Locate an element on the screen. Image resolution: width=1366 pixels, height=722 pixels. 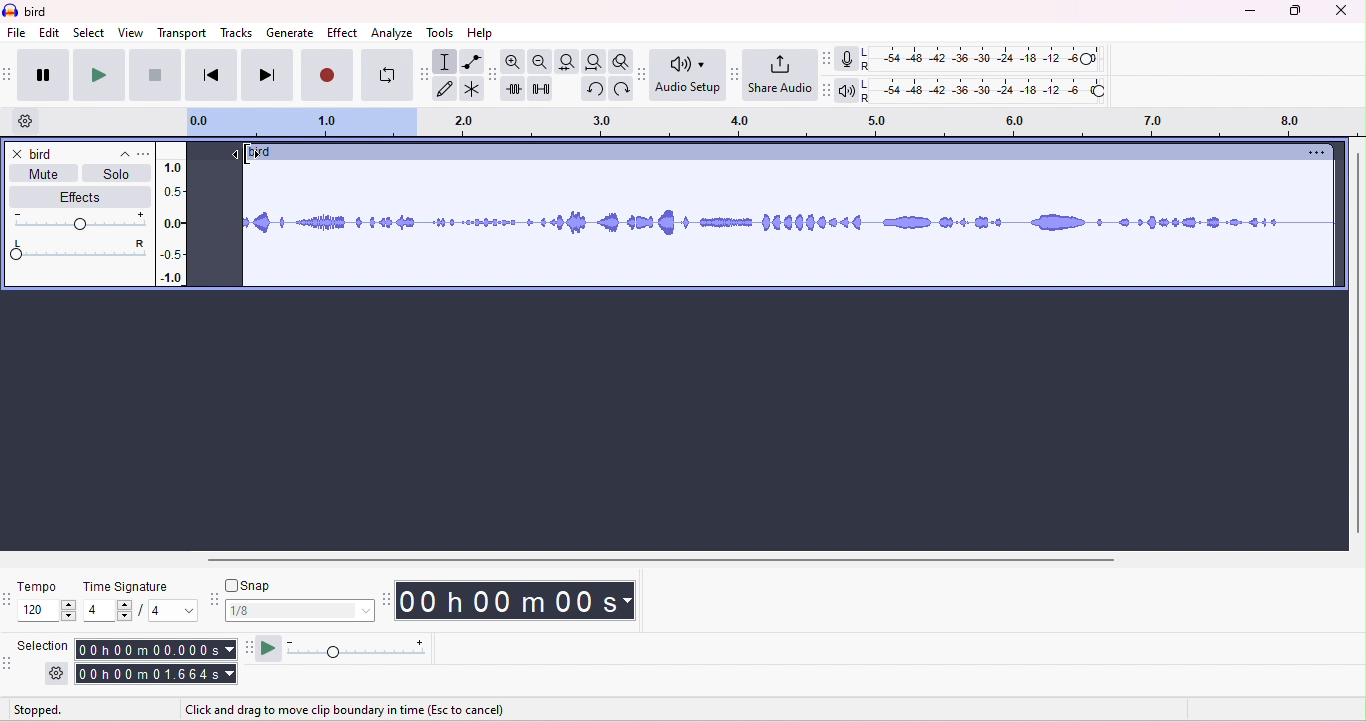
timeline option is located at coordinates (26, 121).